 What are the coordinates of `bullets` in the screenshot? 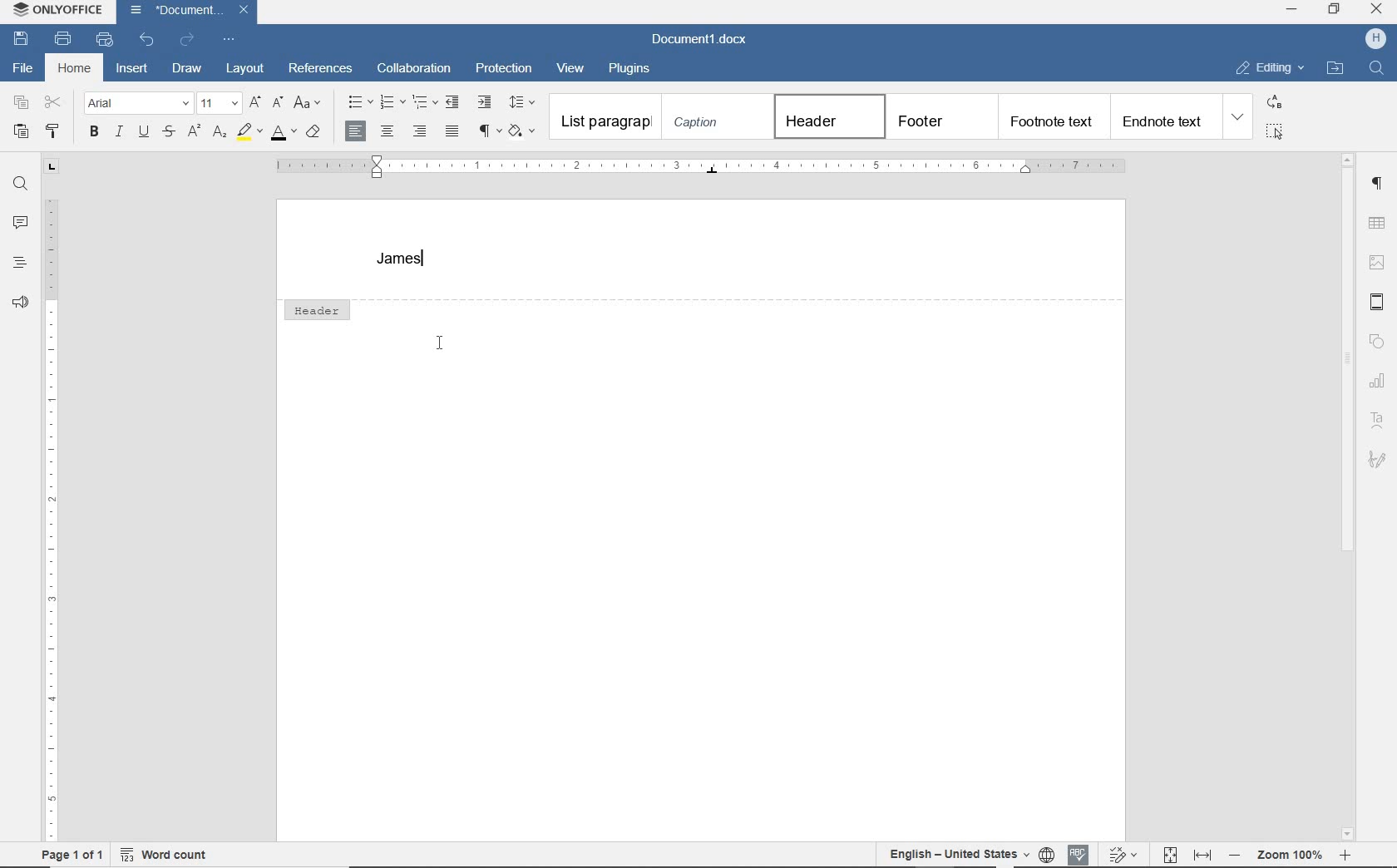 It's located at (356, 102).